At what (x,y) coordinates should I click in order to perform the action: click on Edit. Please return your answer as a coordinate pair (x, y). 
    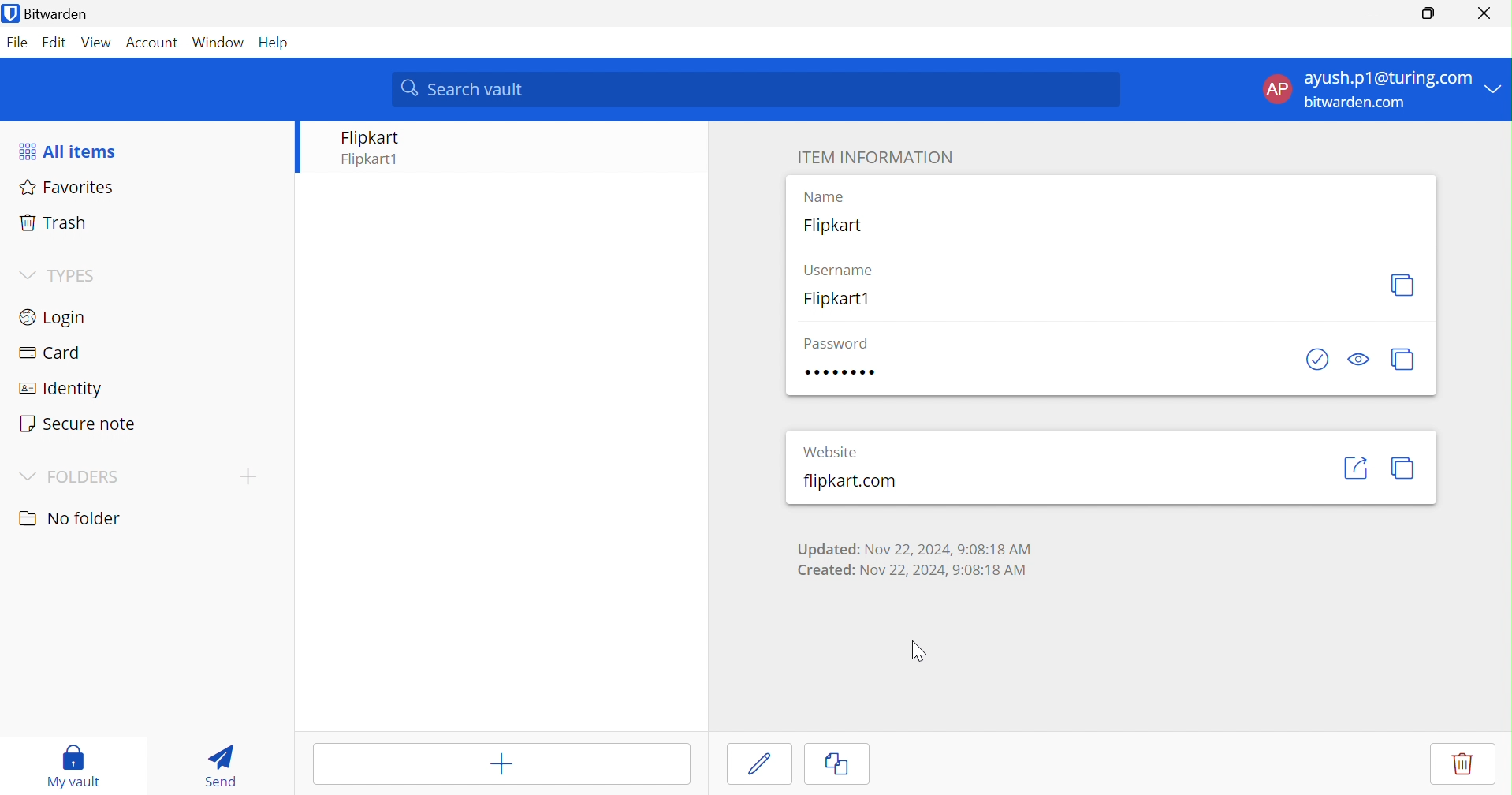
    Looking at the image, I should click on (754, 763).